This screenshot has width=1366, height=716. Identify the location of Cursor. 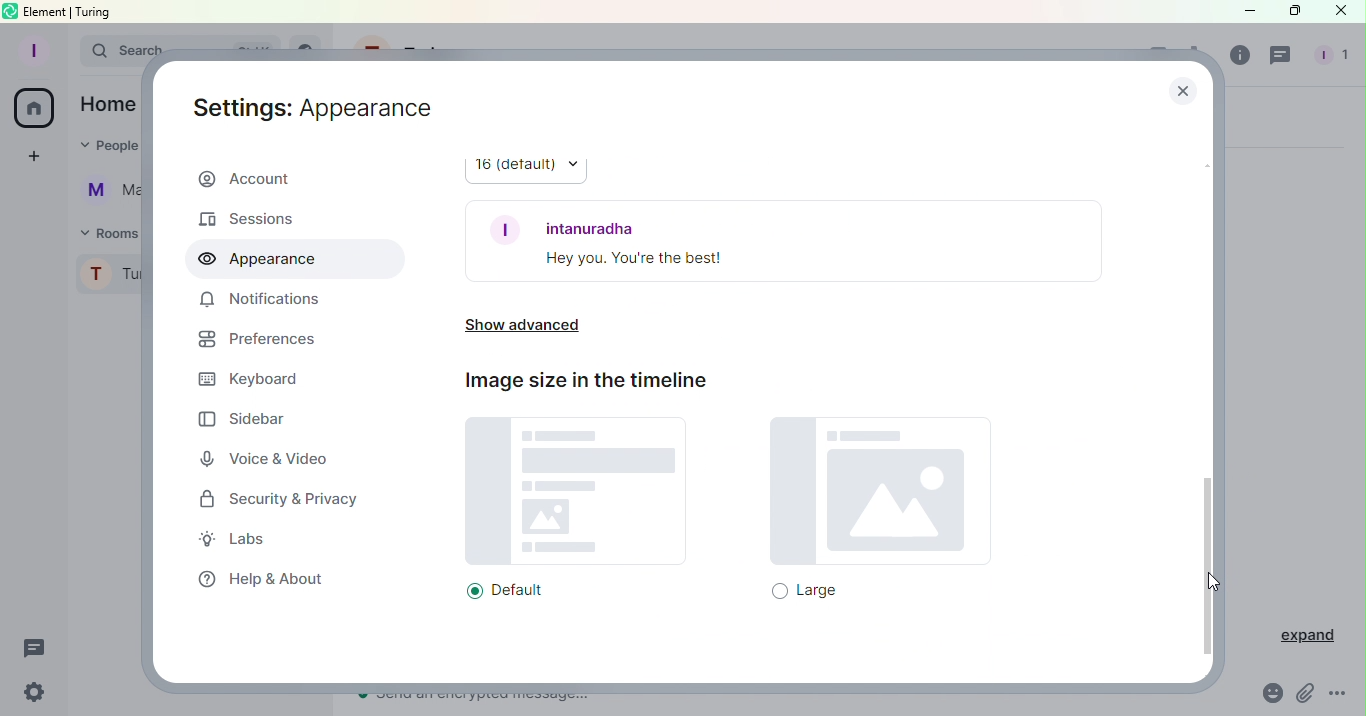
(1212, 583).